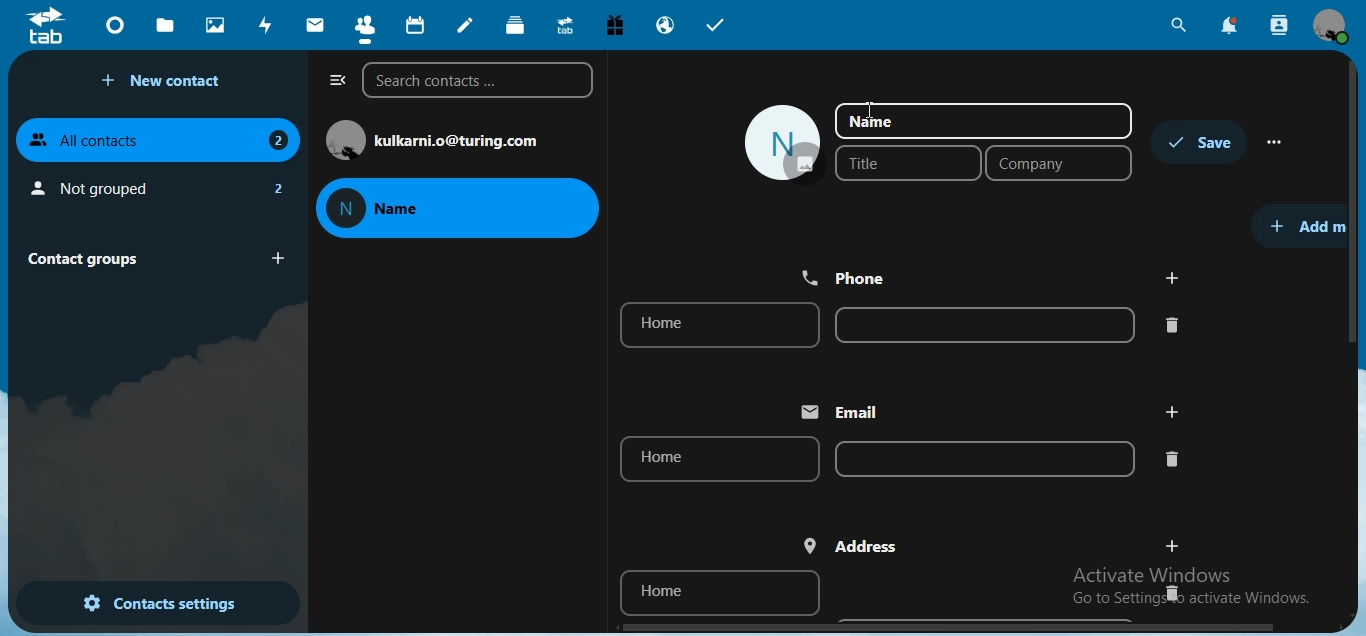 This screenshot has height=636, width=1366. What do you see at coordinates (853, 546) in the screenshot?
I see `address` at bounding box center [853, 546].